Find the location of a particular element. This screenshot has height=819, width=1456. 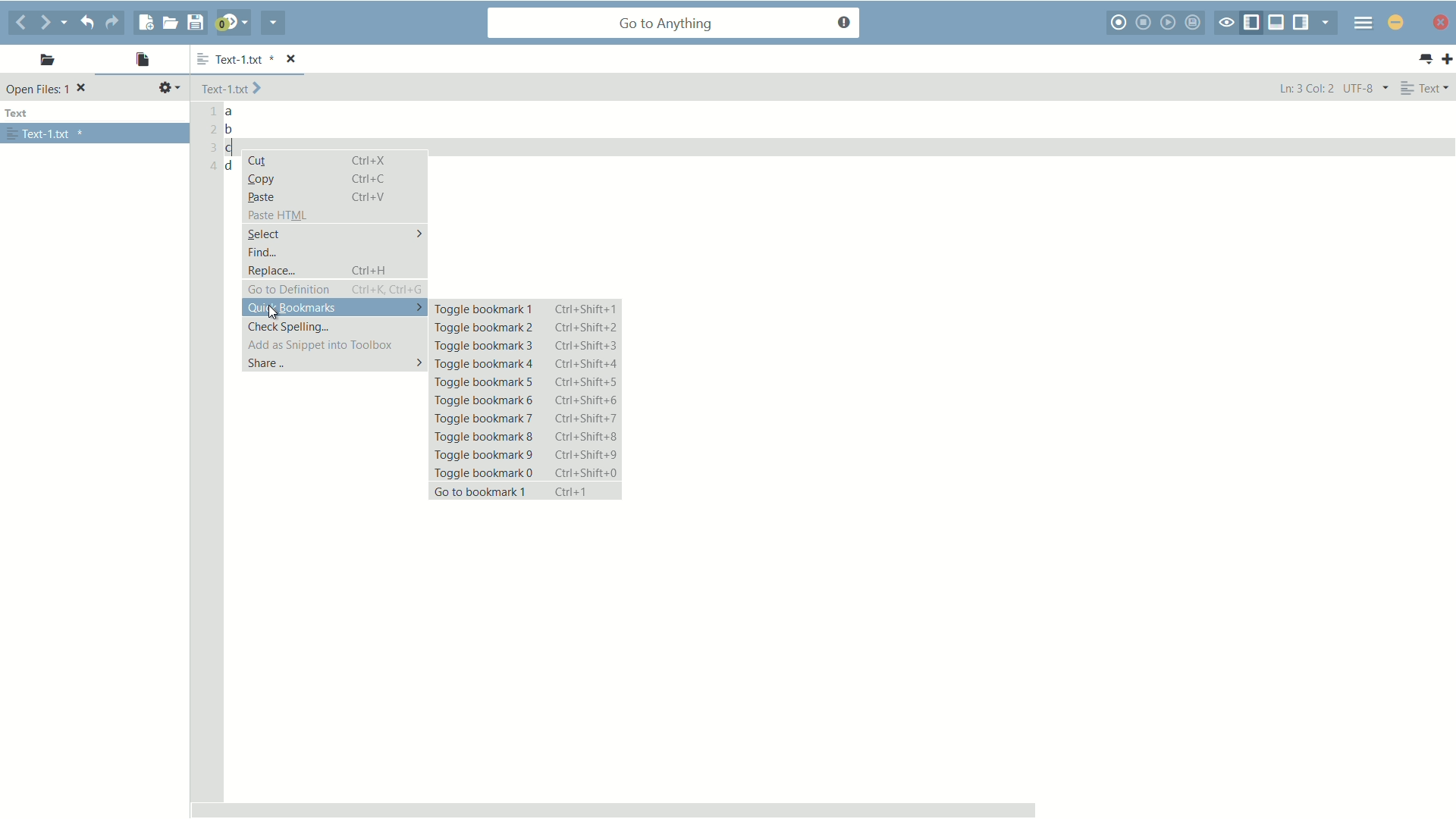

add as snippet into toolbox is located at coordinates (317, 344).